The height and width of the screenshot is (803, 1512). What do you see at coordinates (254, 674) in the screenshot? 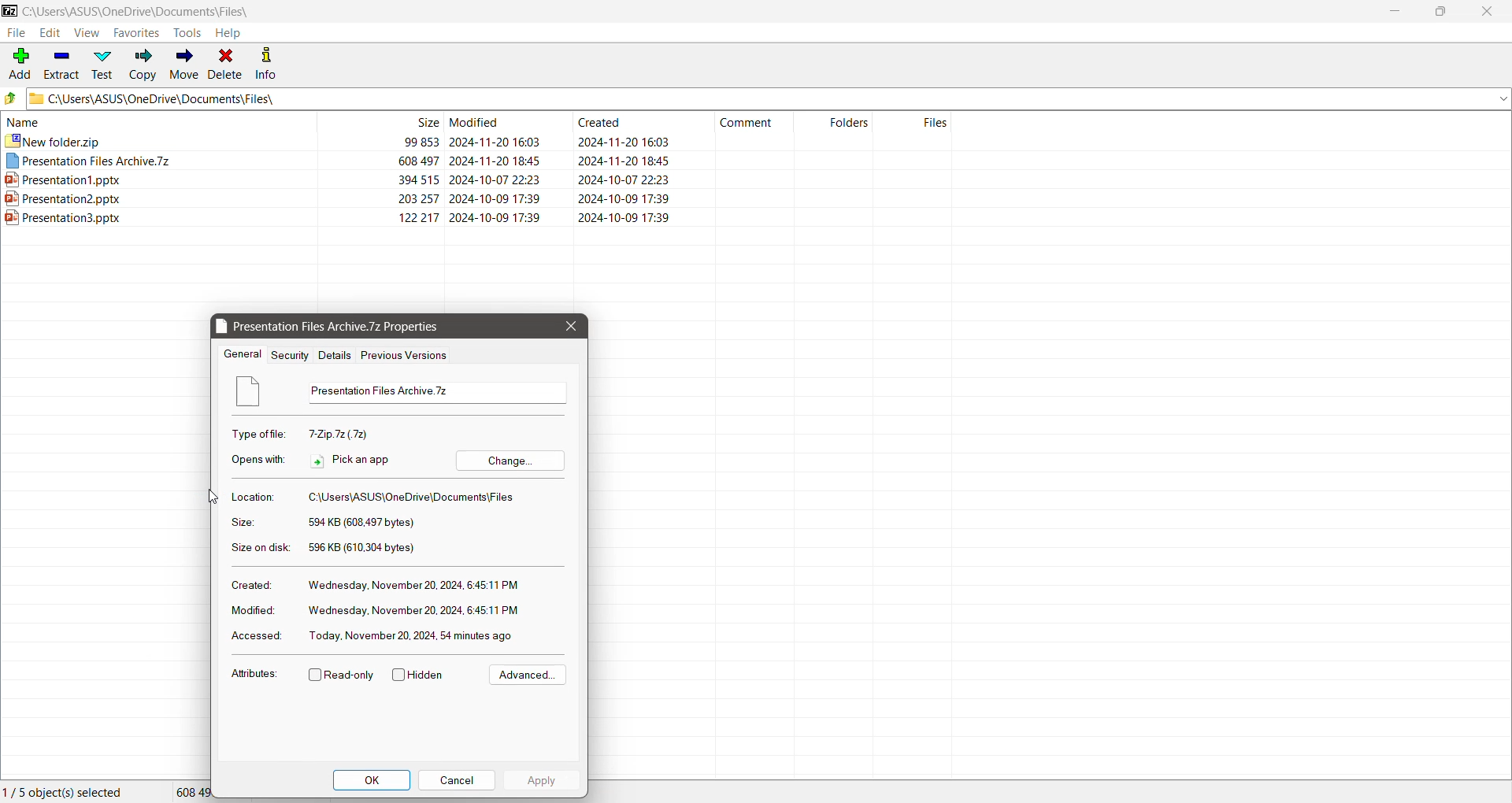
I see `Attributes` at bounding box center [254, 674].